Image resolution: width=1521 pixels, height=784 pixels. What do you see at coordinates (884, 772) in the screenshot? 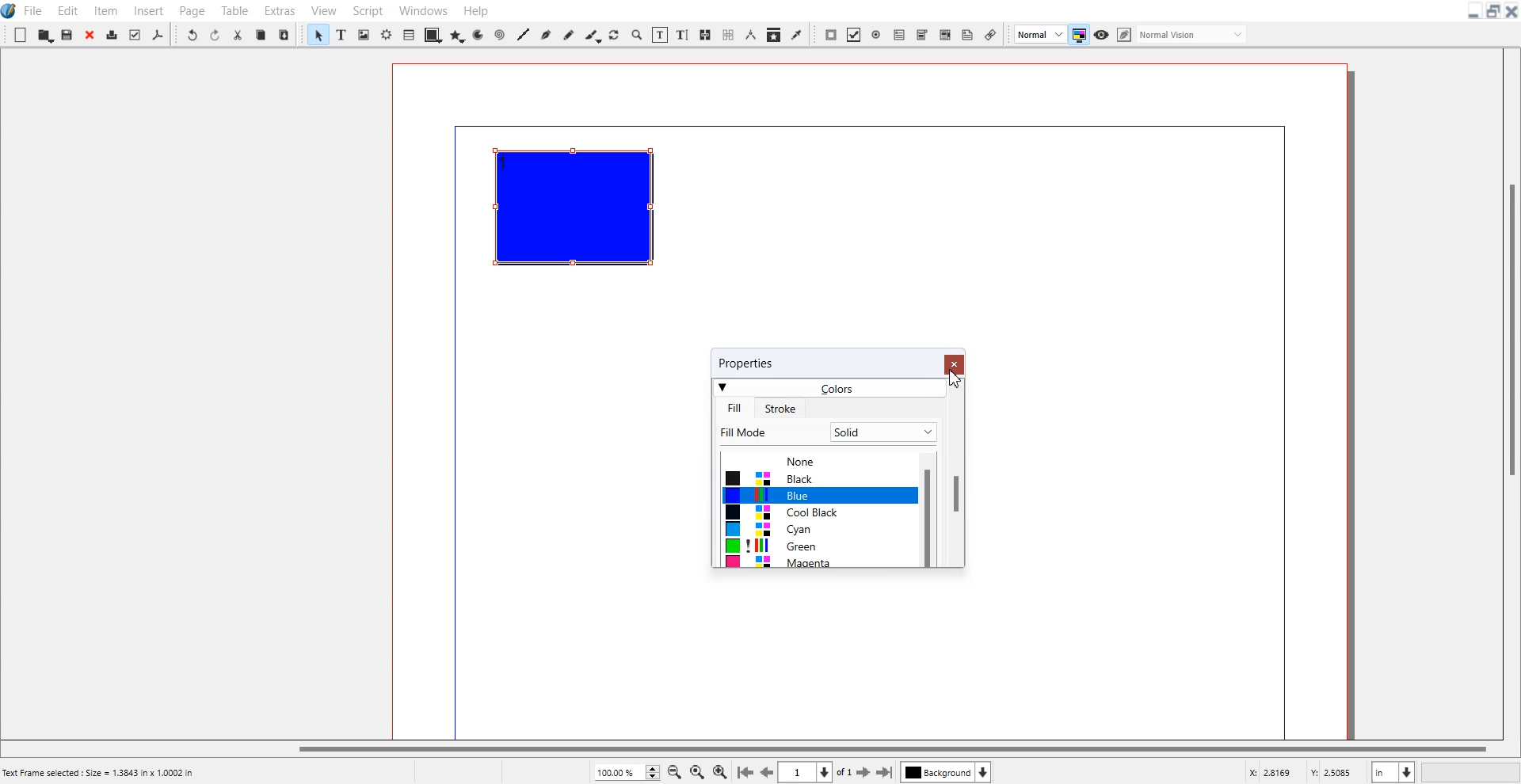
I see `Go to the last page` at bounding box center [884, 772].